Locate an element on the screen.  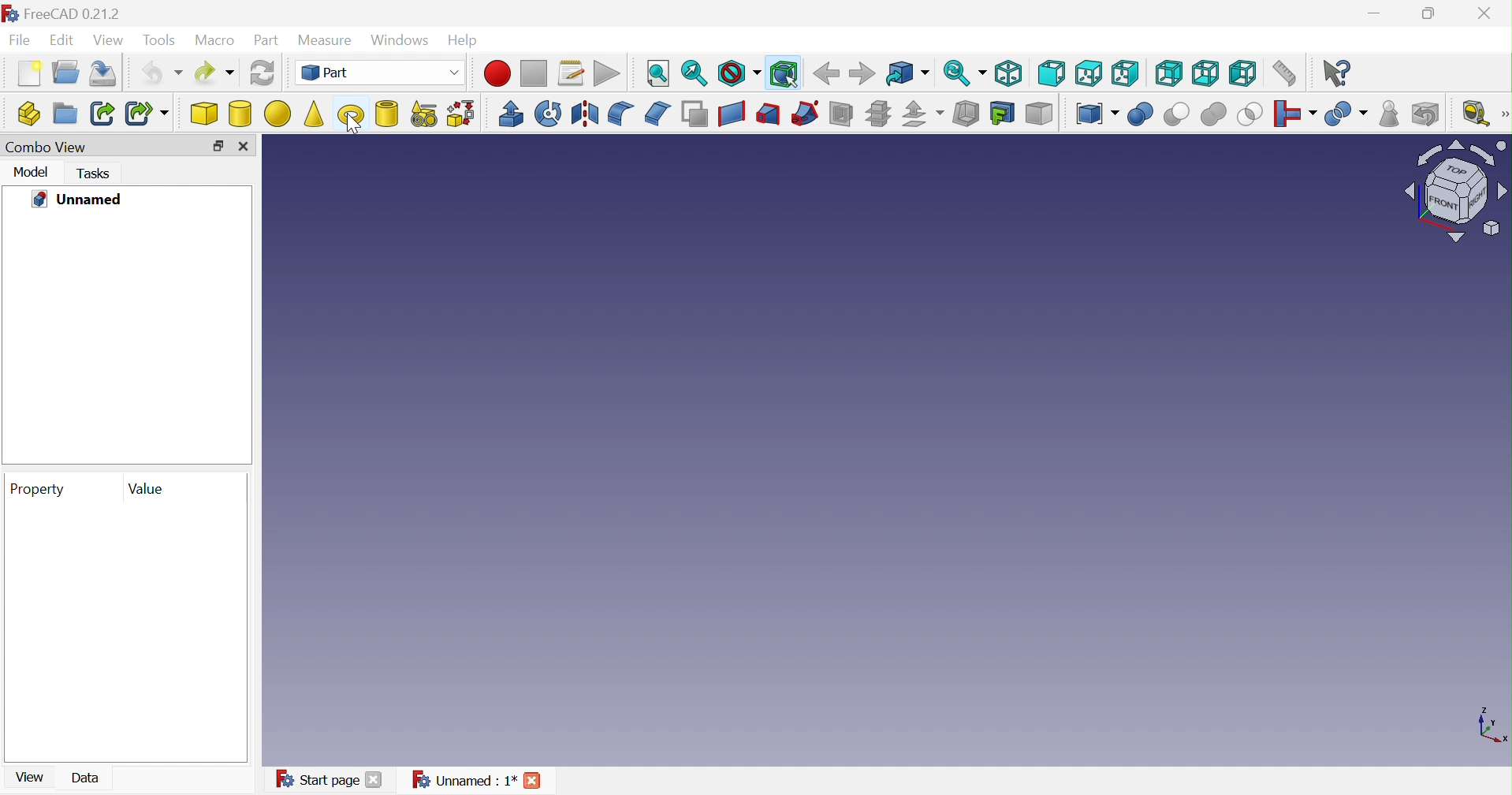
FreeCAD 0.21.2 is located at coordinates (68, 14).